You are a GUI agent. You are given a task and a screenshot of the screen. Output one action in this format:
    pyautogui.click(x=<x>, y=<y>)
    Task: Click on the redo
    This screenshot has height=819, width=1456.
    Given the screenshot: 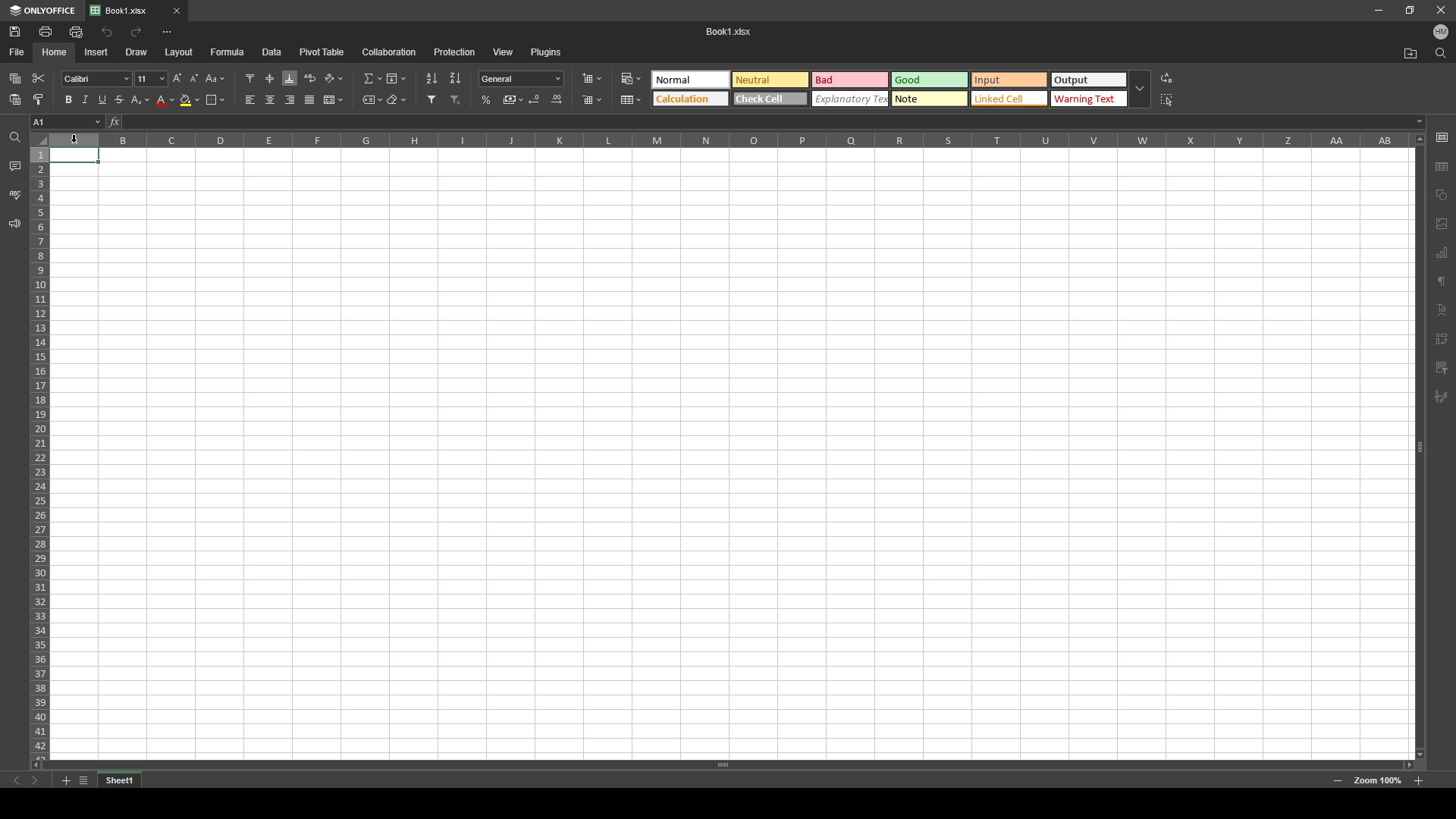 What is the action you would take?
    pyautogui.click(x=136, y=31)
    